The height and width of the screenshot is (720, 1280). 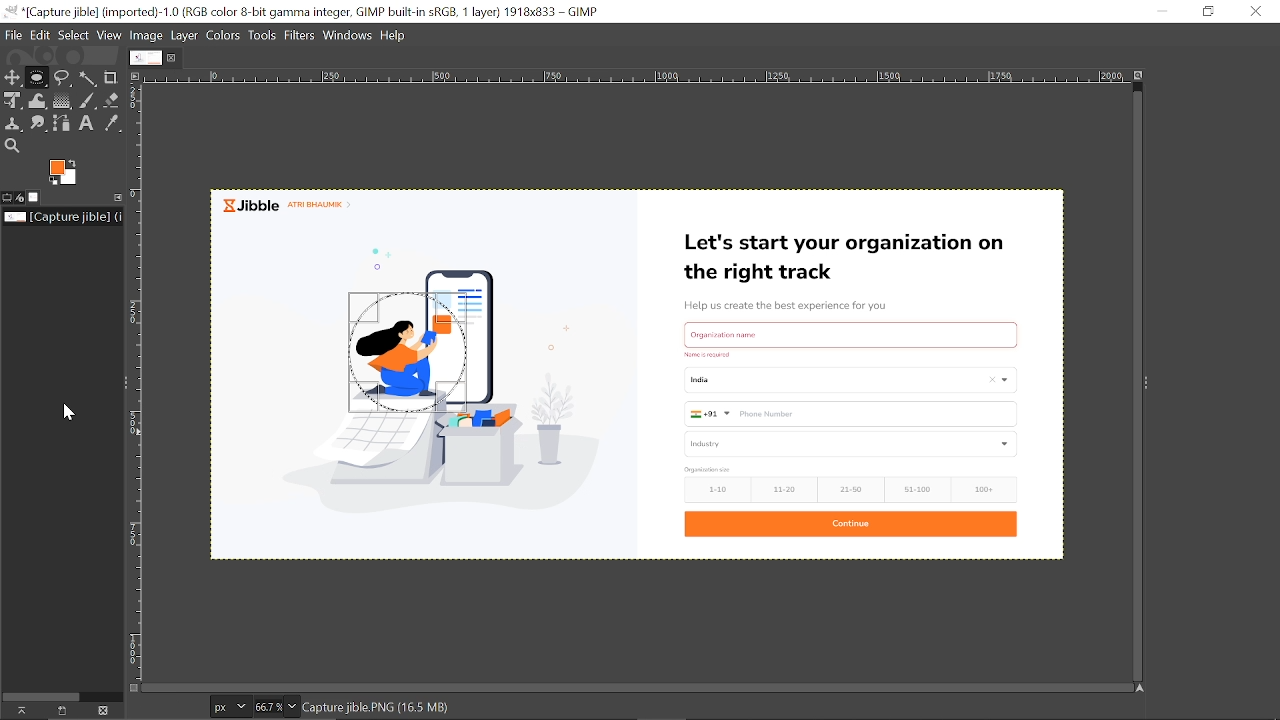 I want to click on vertical ruler, so click(x=142, y=383).